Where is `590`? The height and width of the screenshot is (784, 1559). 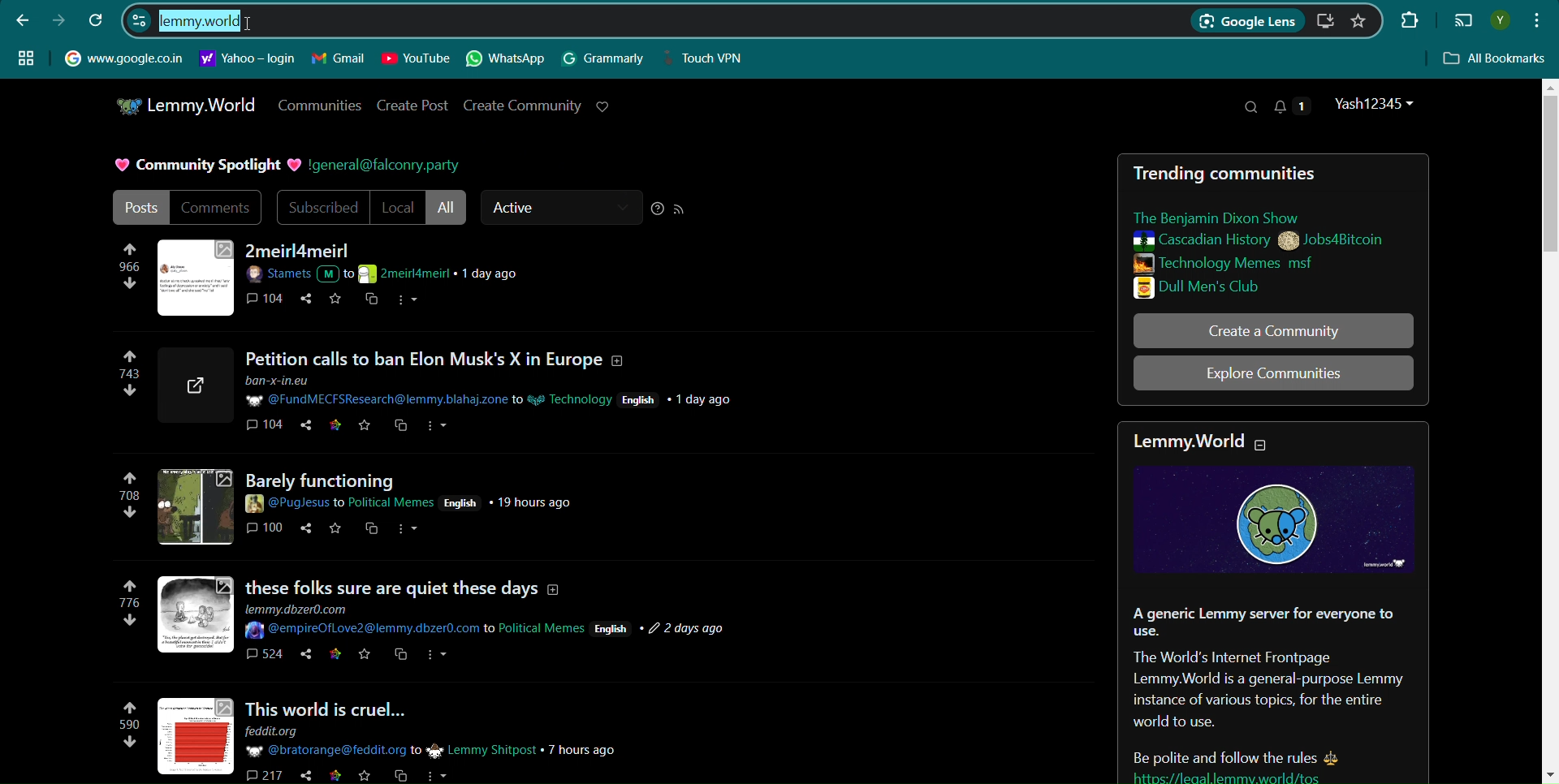
590 is located at coordinates (123, 729).